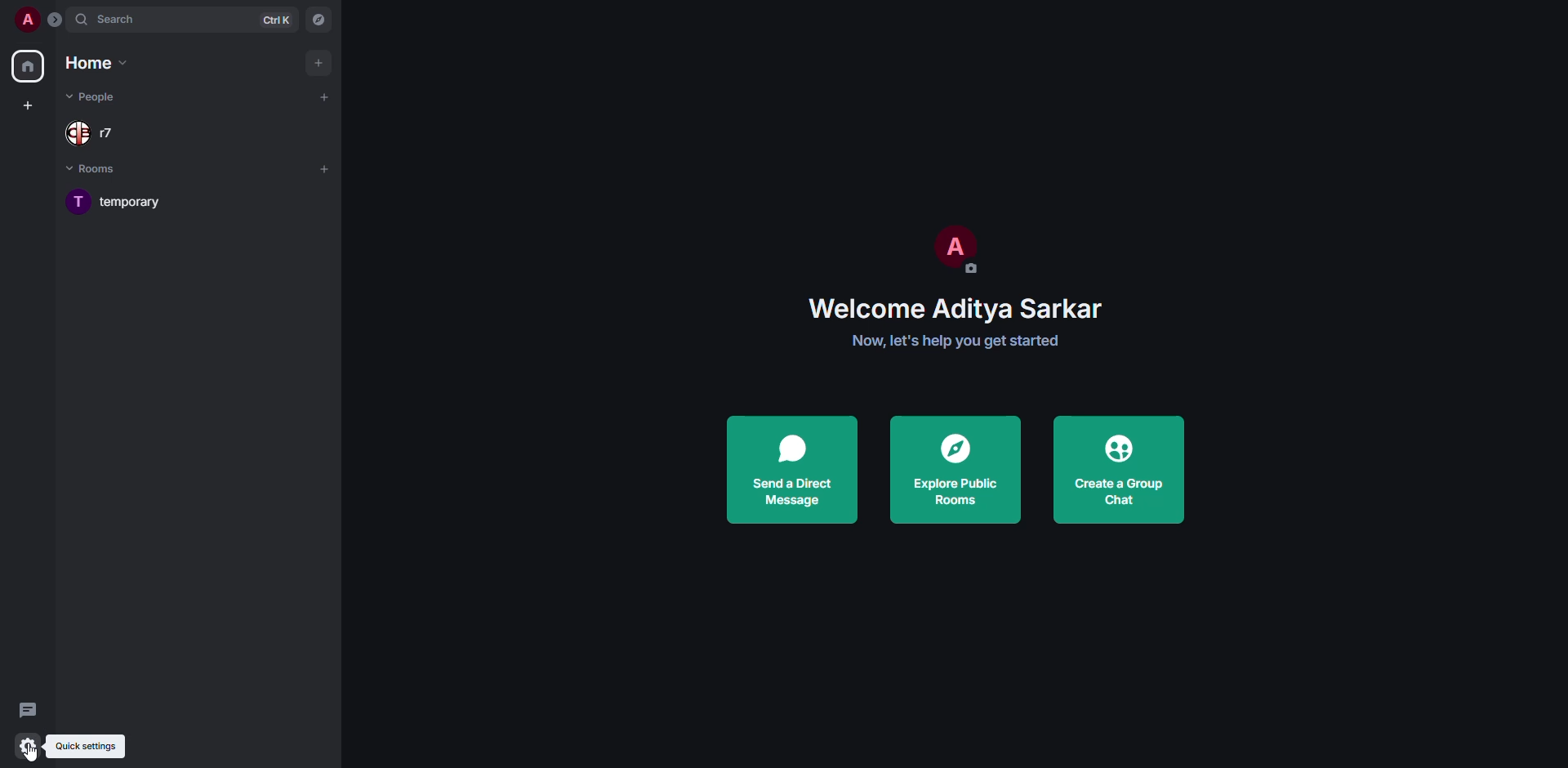 The image size is (1568, 768). Describe the element at coordinates (320, 60) in the screenshot. I see `add` at that location.